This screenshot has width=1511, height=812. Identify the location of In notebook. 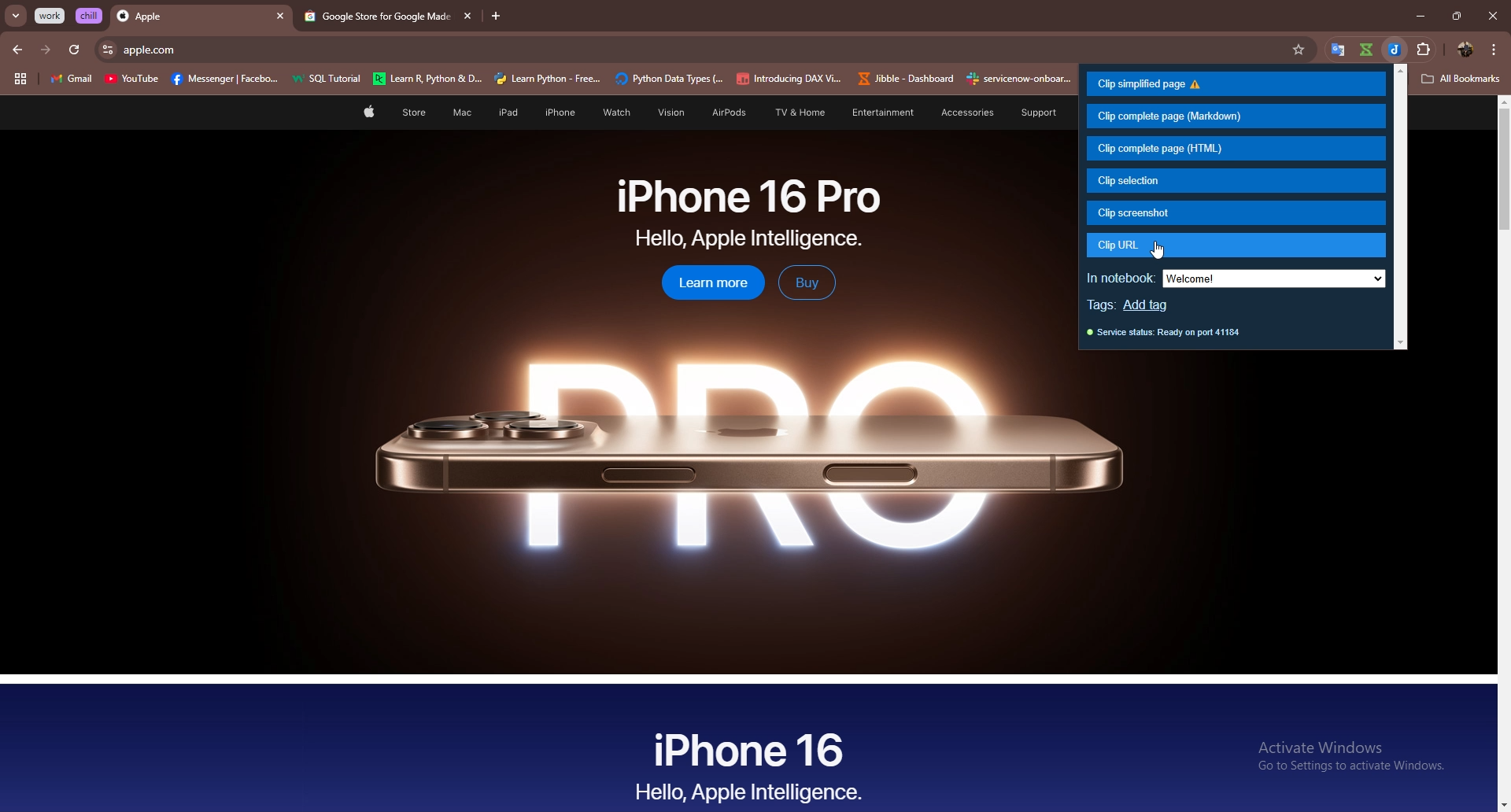
(1121, 275).